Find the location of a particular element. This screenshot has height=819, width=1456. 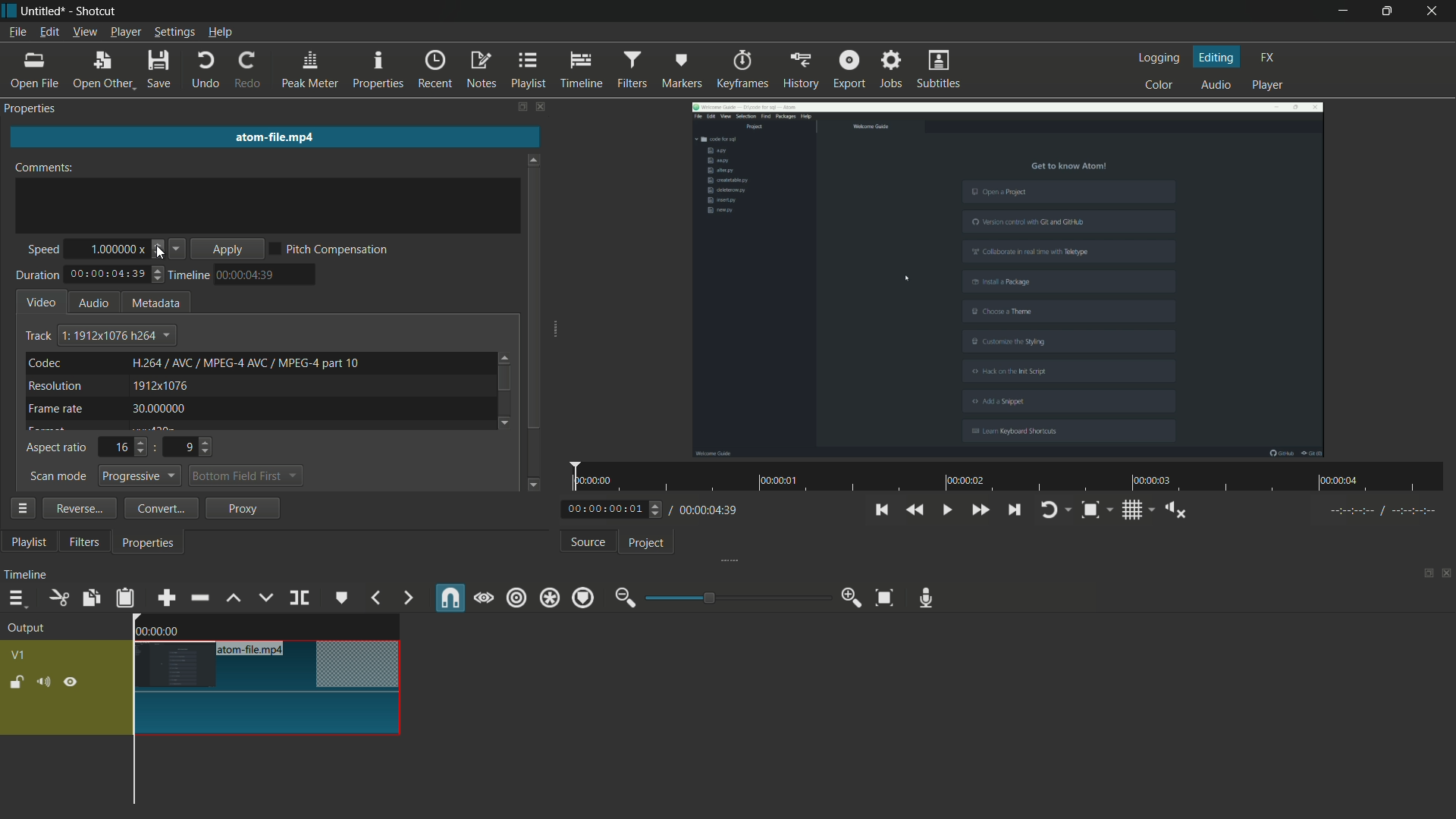

pitch compensation is located at coordinates (337, 251).